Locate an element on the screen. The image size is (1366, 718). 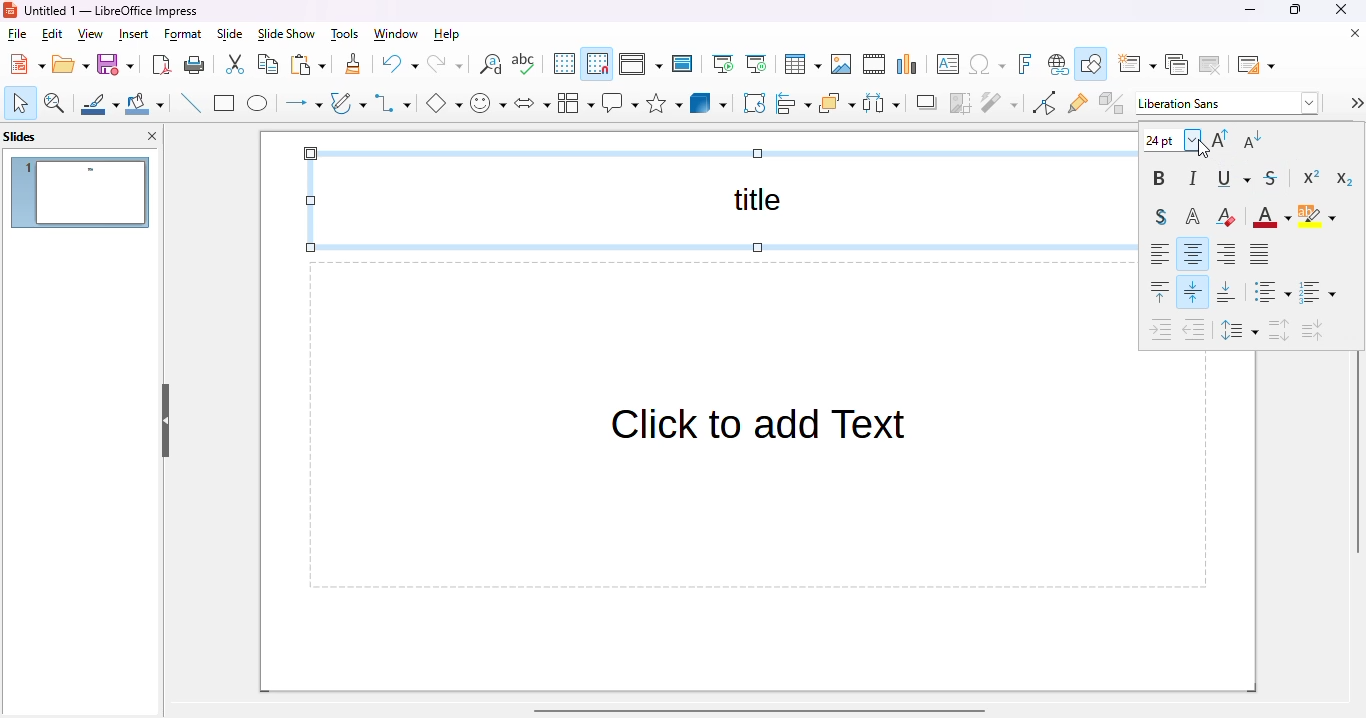
Liberation Sans is located at coordinates (1228, 103).